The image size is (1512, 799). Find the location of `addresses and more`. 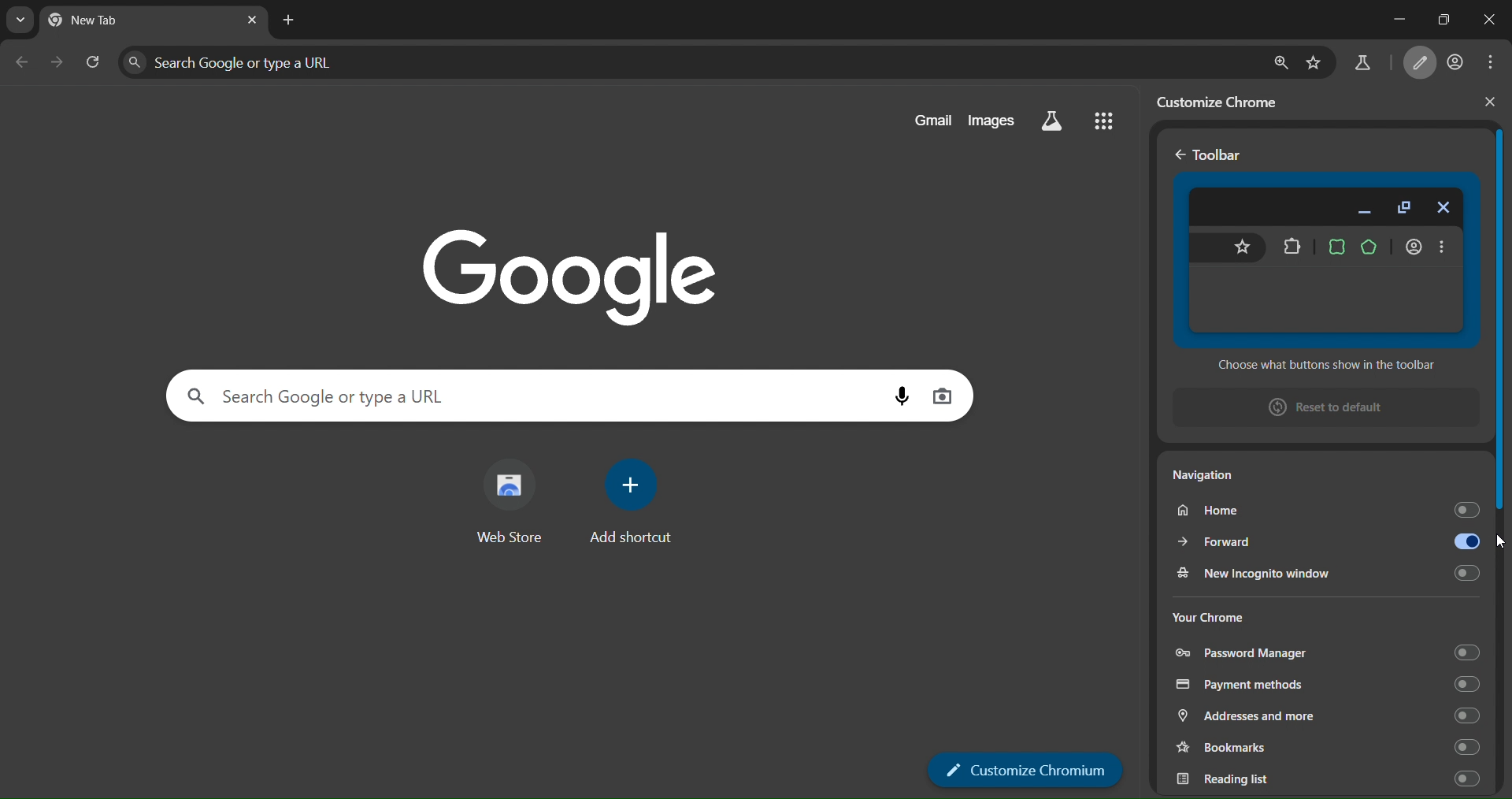

addresses and more is located at coordinates (1328, 715).